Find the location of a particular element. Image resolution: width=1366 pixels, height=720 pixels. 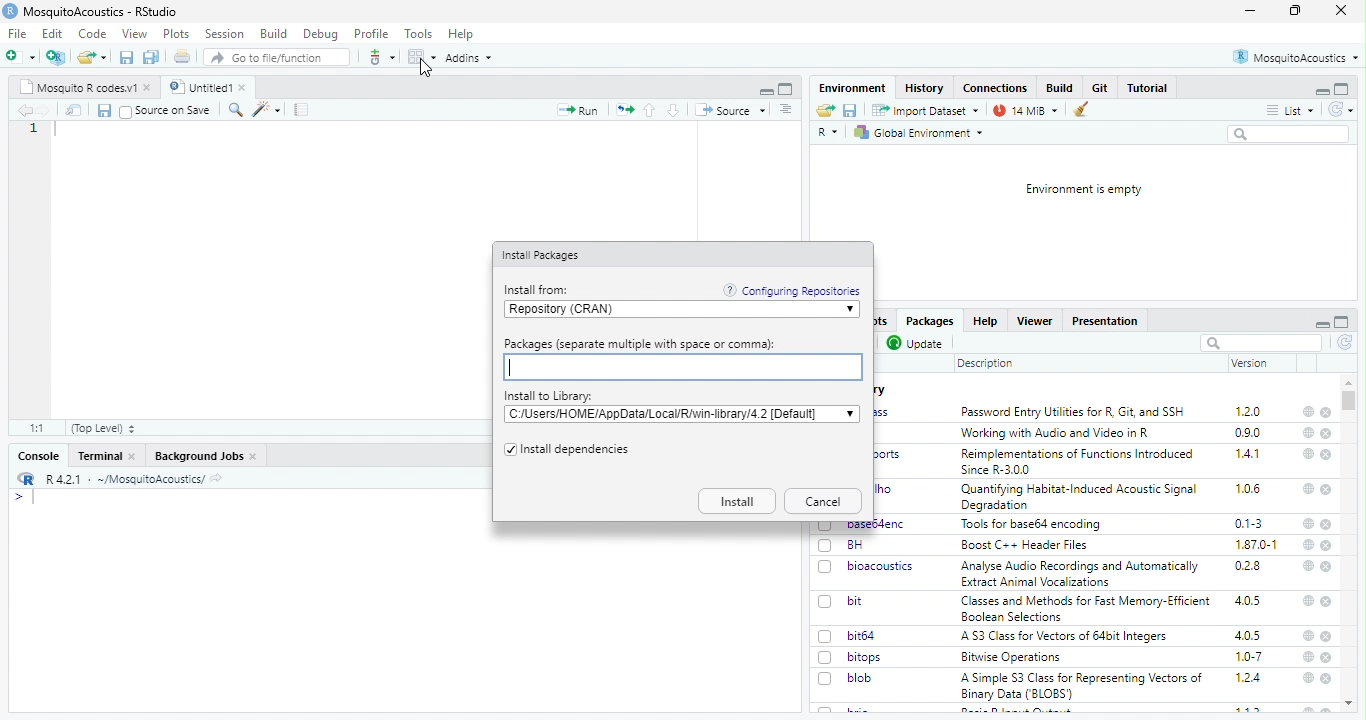

sync is located at coordinates (1346, 343).